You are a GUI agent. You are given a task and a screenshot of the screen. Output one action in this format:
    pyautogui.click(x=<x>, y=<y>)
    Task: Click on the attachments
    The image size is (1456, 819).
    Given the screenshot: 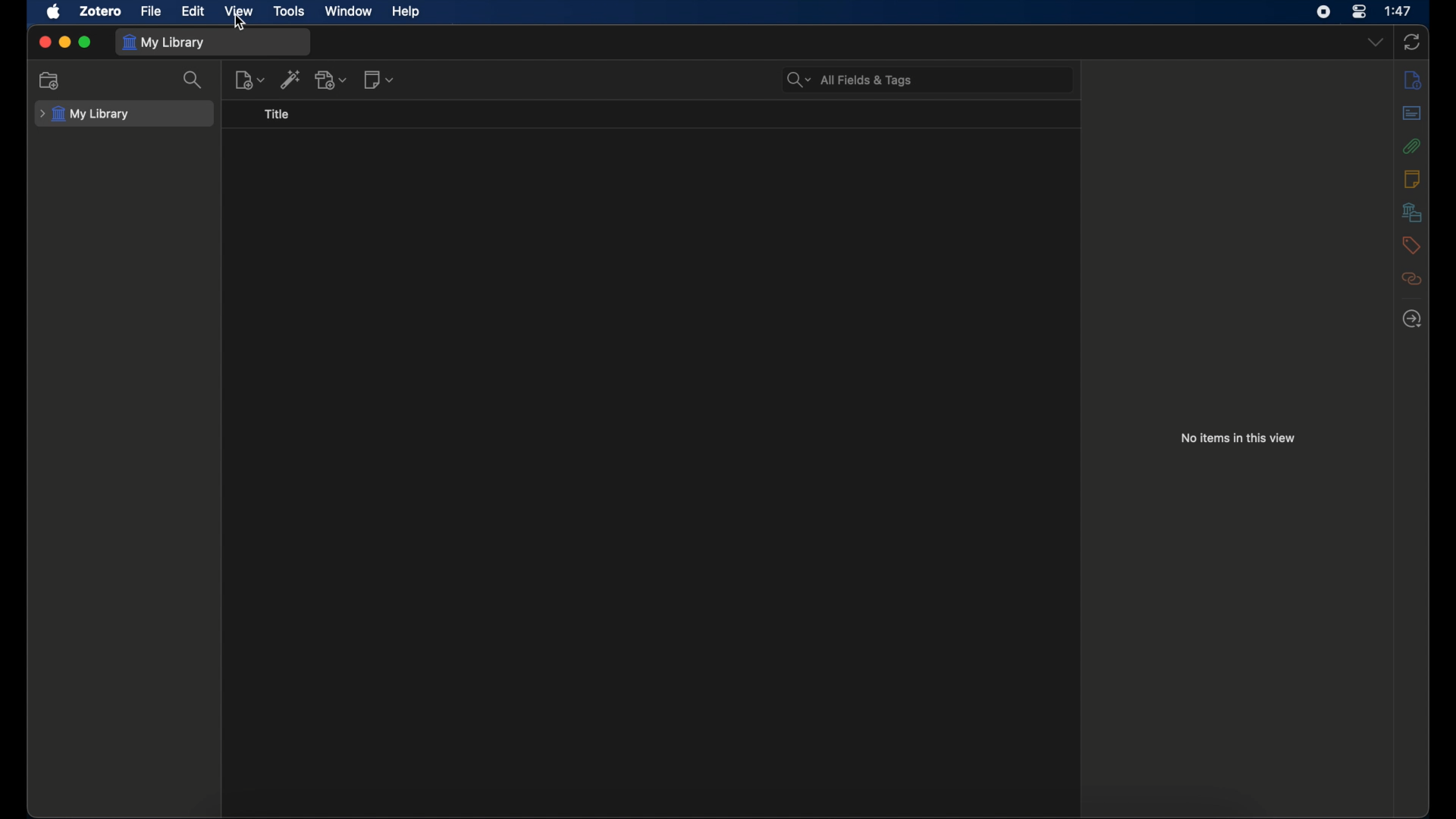 What is the action you would take?
    pyautogui.click(x=1412, y=146)
    